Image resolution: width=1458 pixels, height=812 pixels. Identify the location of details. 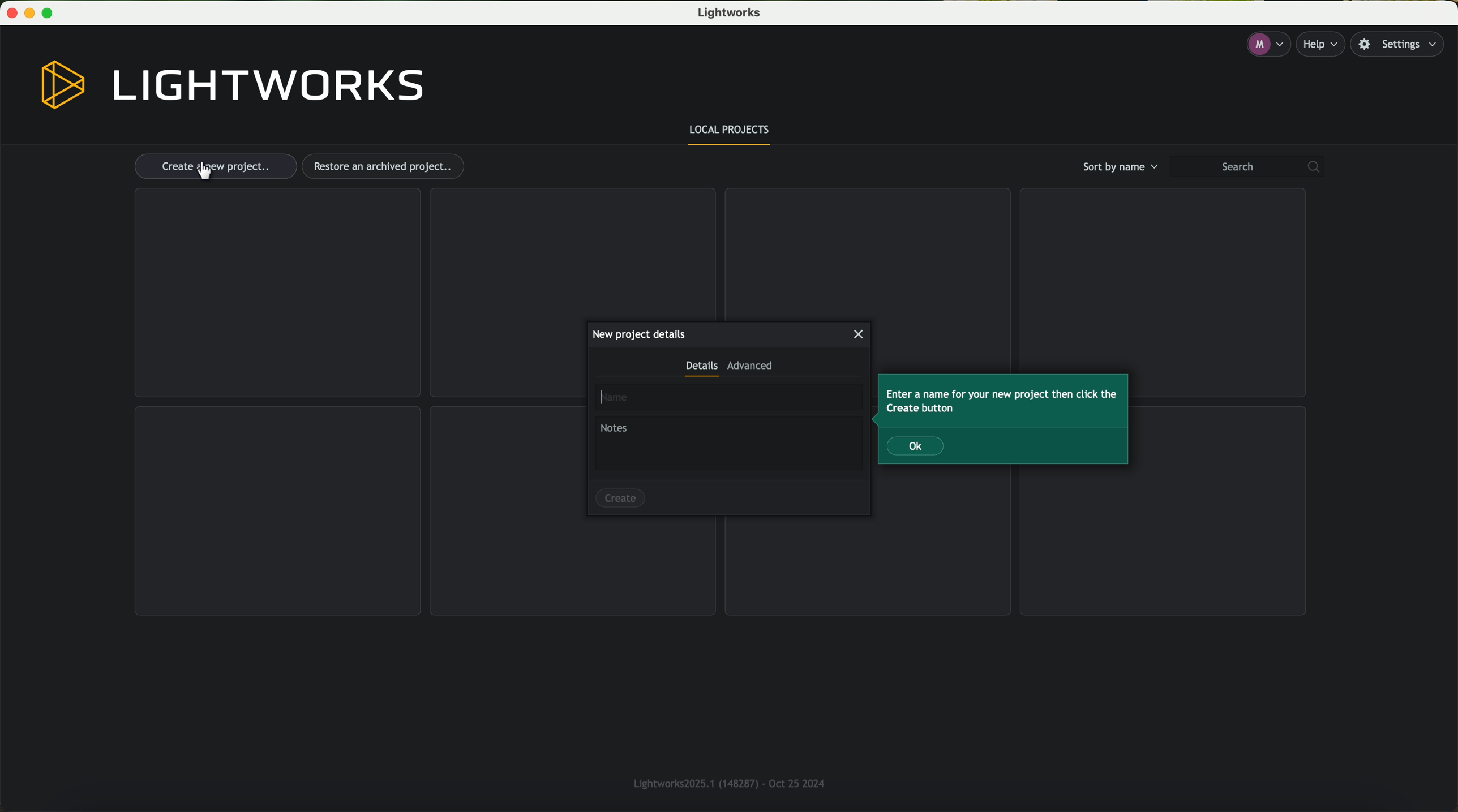
(701, 369).